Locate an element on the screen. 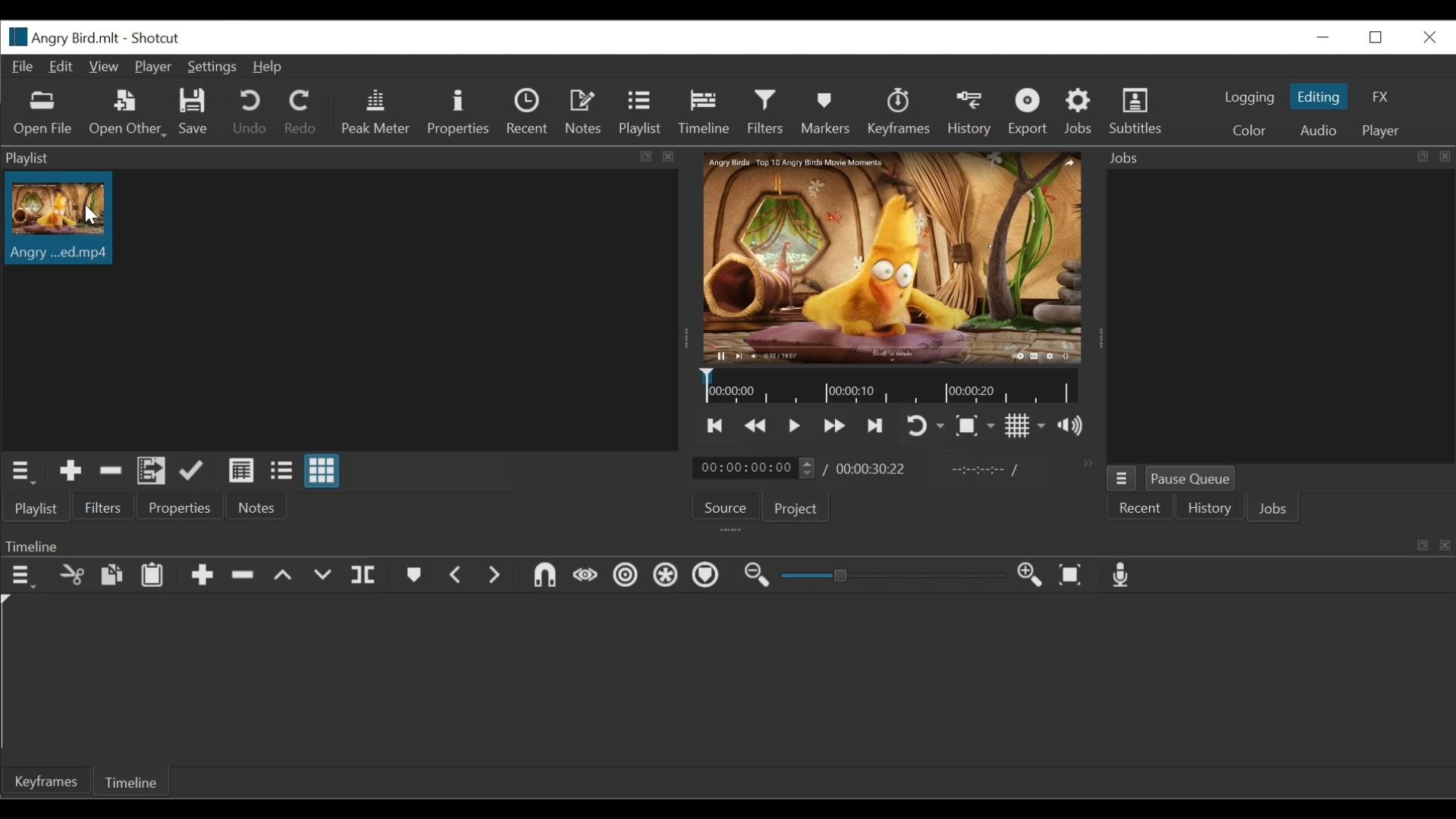 The image size is (1456, 819). current duration is located at coordinates (753, 468).